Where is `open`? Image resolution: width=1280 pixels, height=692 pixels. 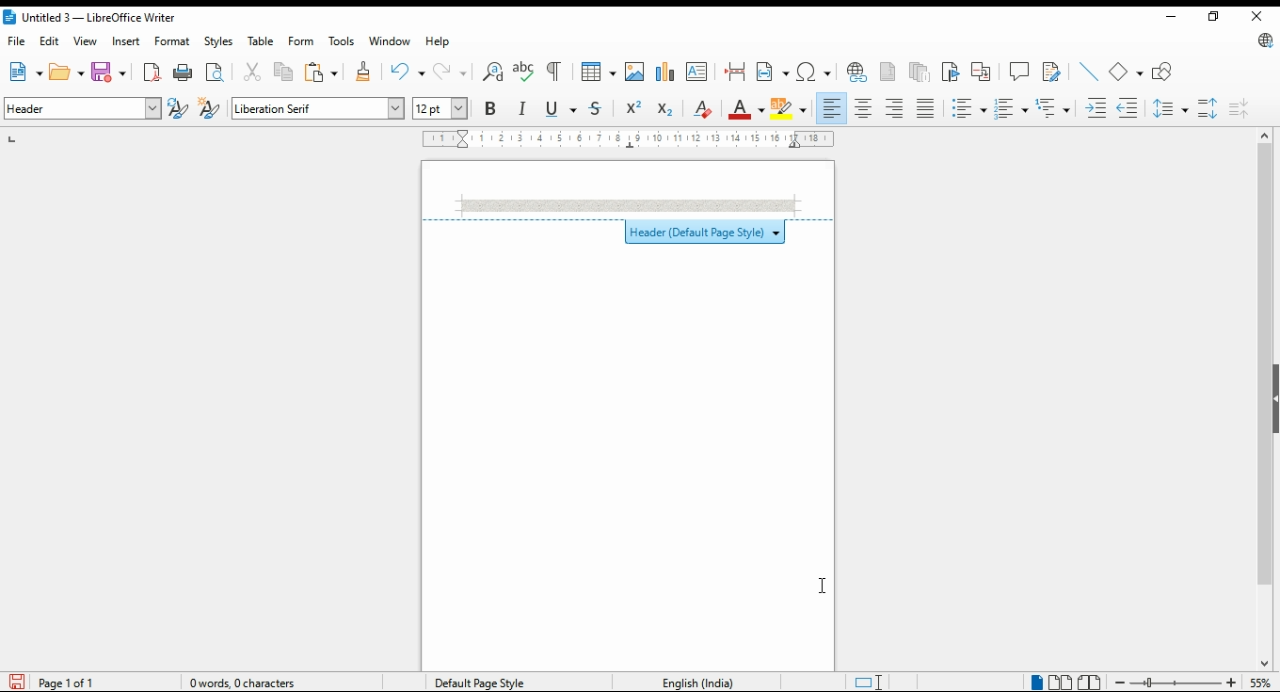
open is located at coordinates (67, 71).